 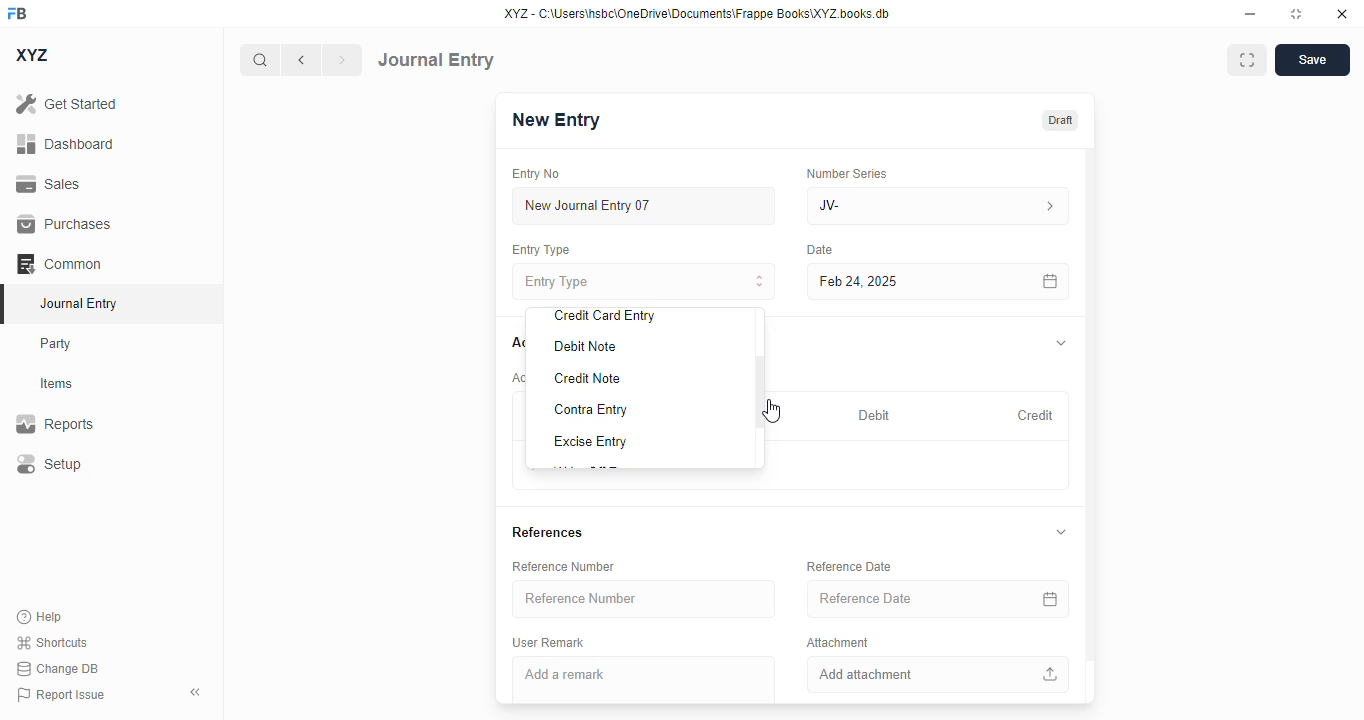 I want to click on report issue, so click(x=61, y=694).